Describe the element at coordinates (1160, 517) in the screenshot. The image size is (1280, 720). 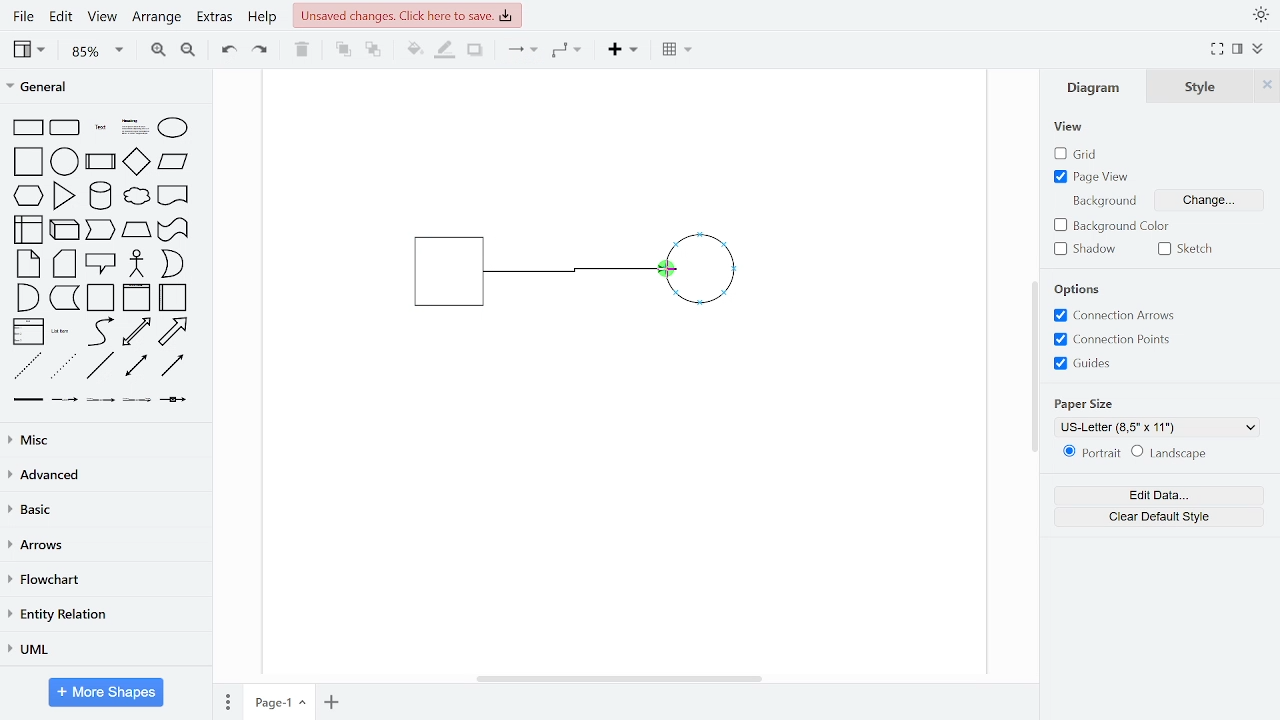
I see `clear default style` at that location.